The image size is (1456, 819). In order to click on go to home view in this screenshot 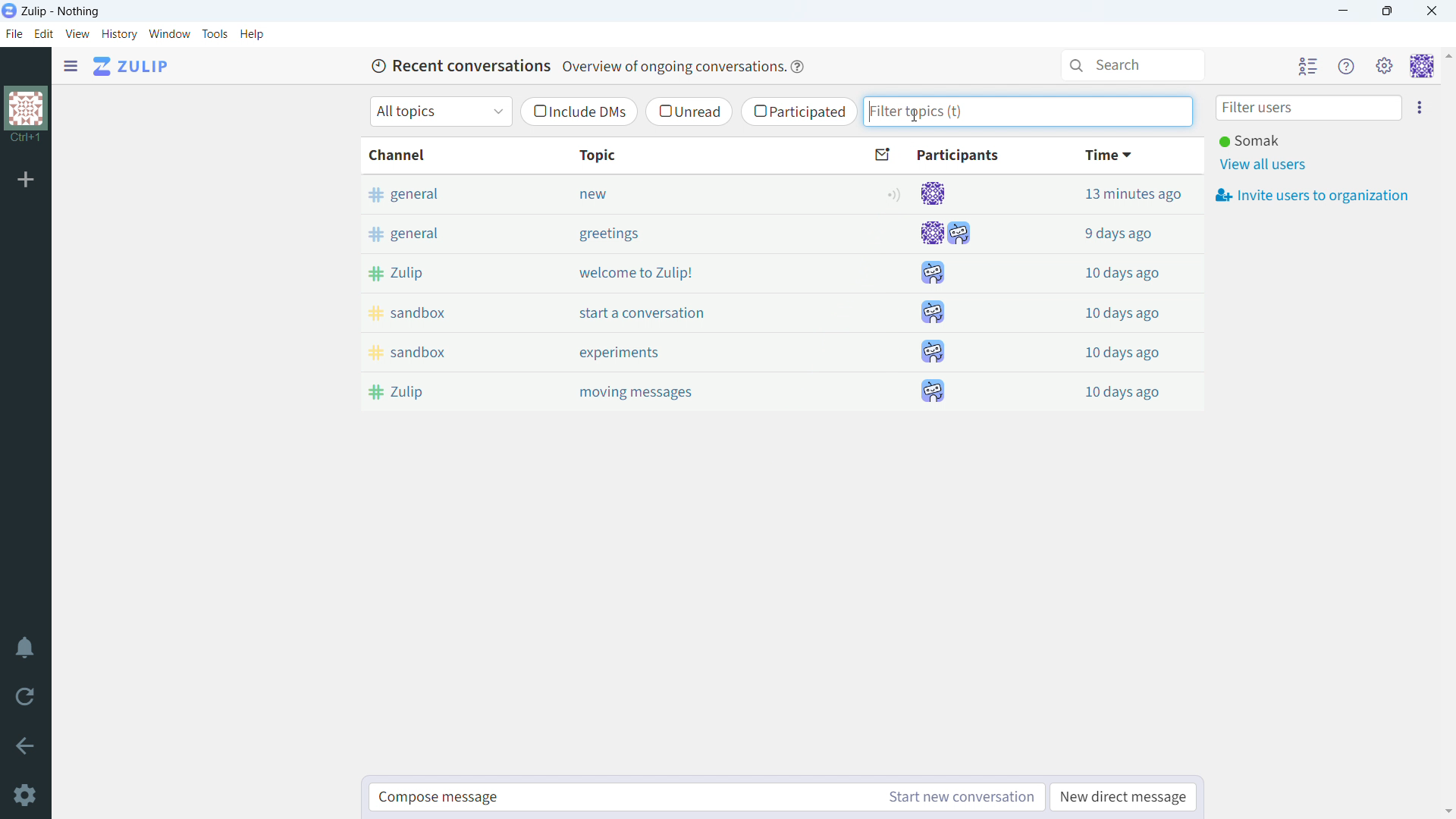, I will do `click(131, 67)`.